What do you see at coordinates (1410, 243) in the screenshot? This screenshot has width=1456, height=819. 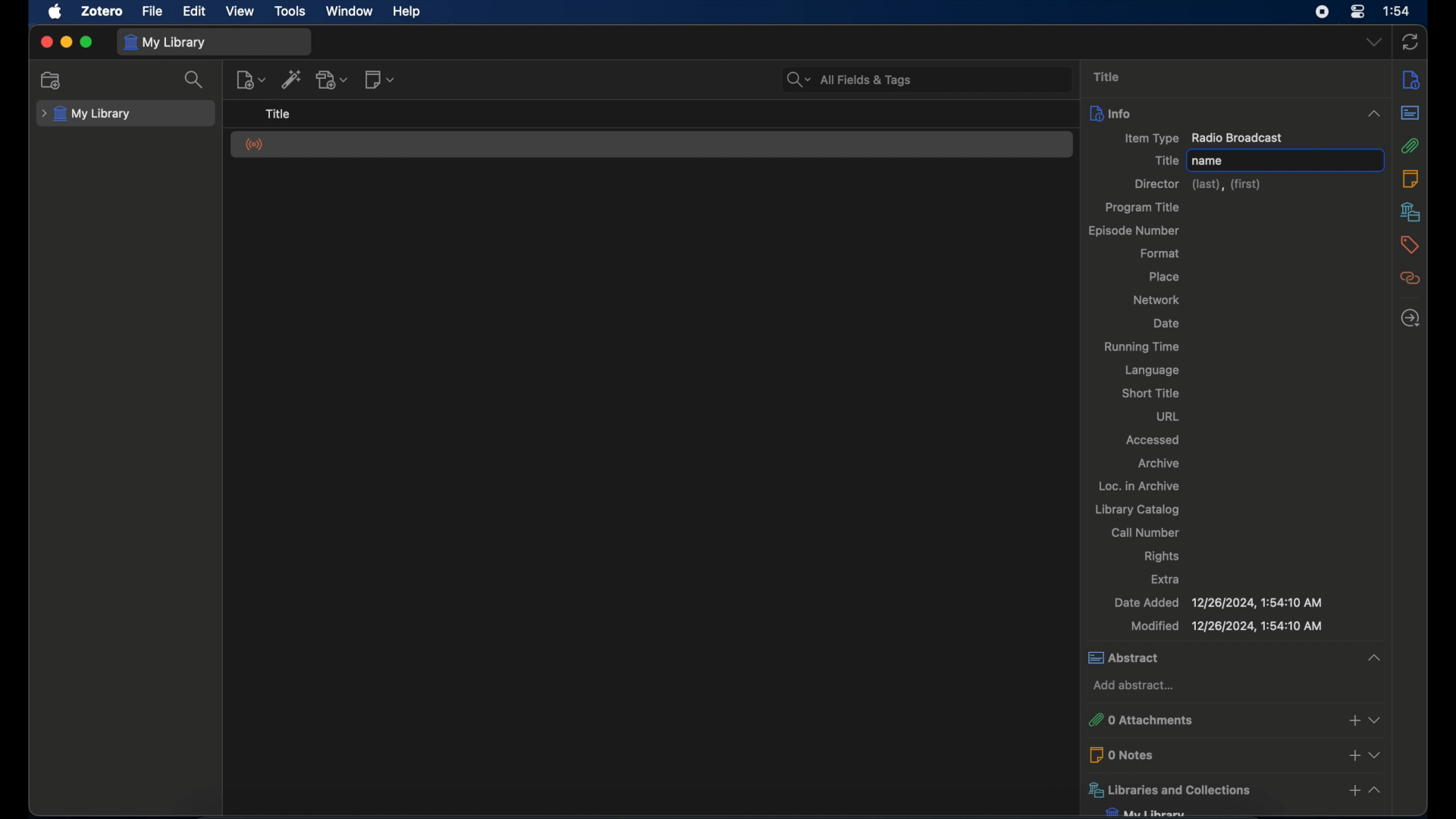 I see `tags` at bounding box center [1410, 243].